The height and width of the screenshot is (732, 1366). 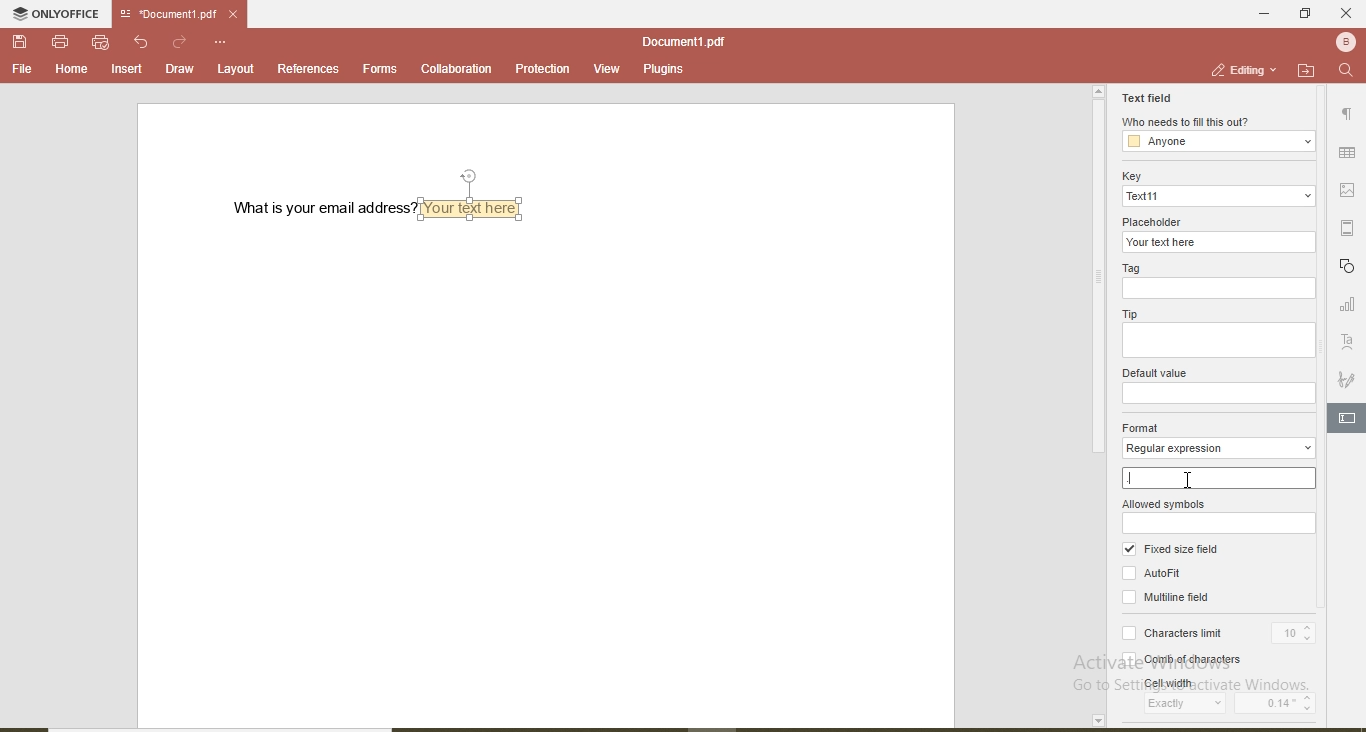 What do you see at coordinates (59, 16) in the screenshot?
I see `onlyoffice` at bounding box center [59, 16].